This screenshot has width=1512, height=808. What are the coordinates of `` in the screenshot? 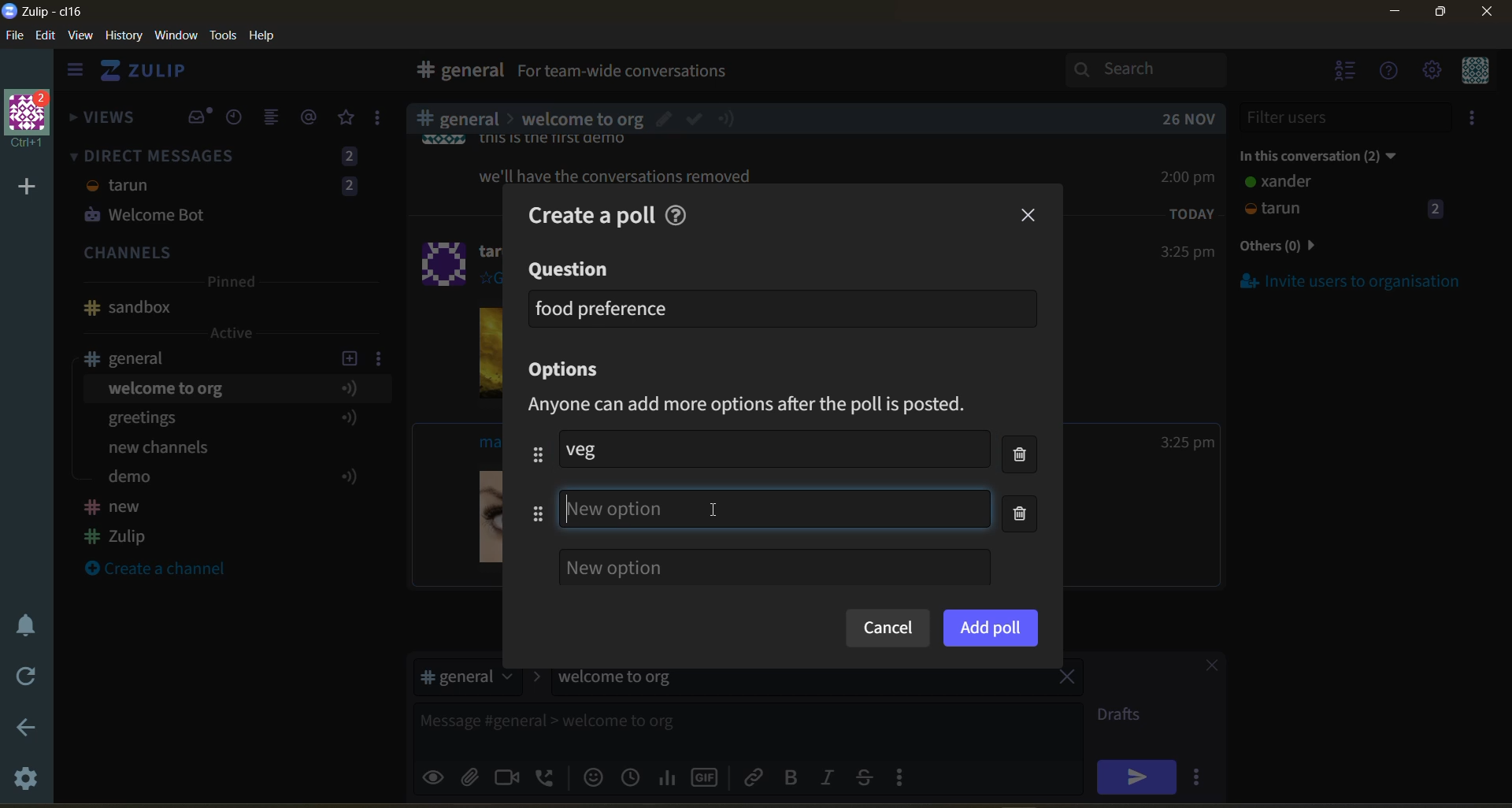 It's located at (718, 510).